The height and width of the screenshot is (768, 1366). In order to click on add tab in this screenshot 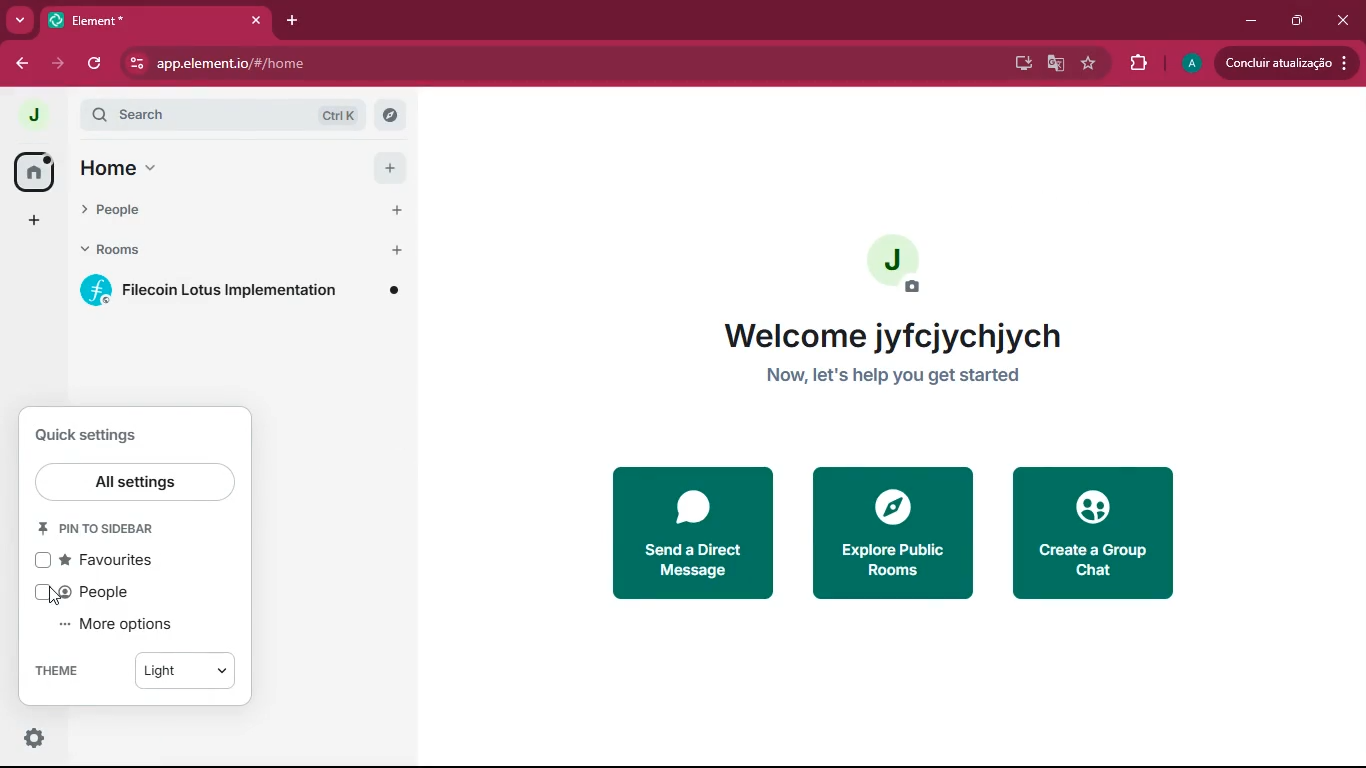, I will do `click(290, 21)`.